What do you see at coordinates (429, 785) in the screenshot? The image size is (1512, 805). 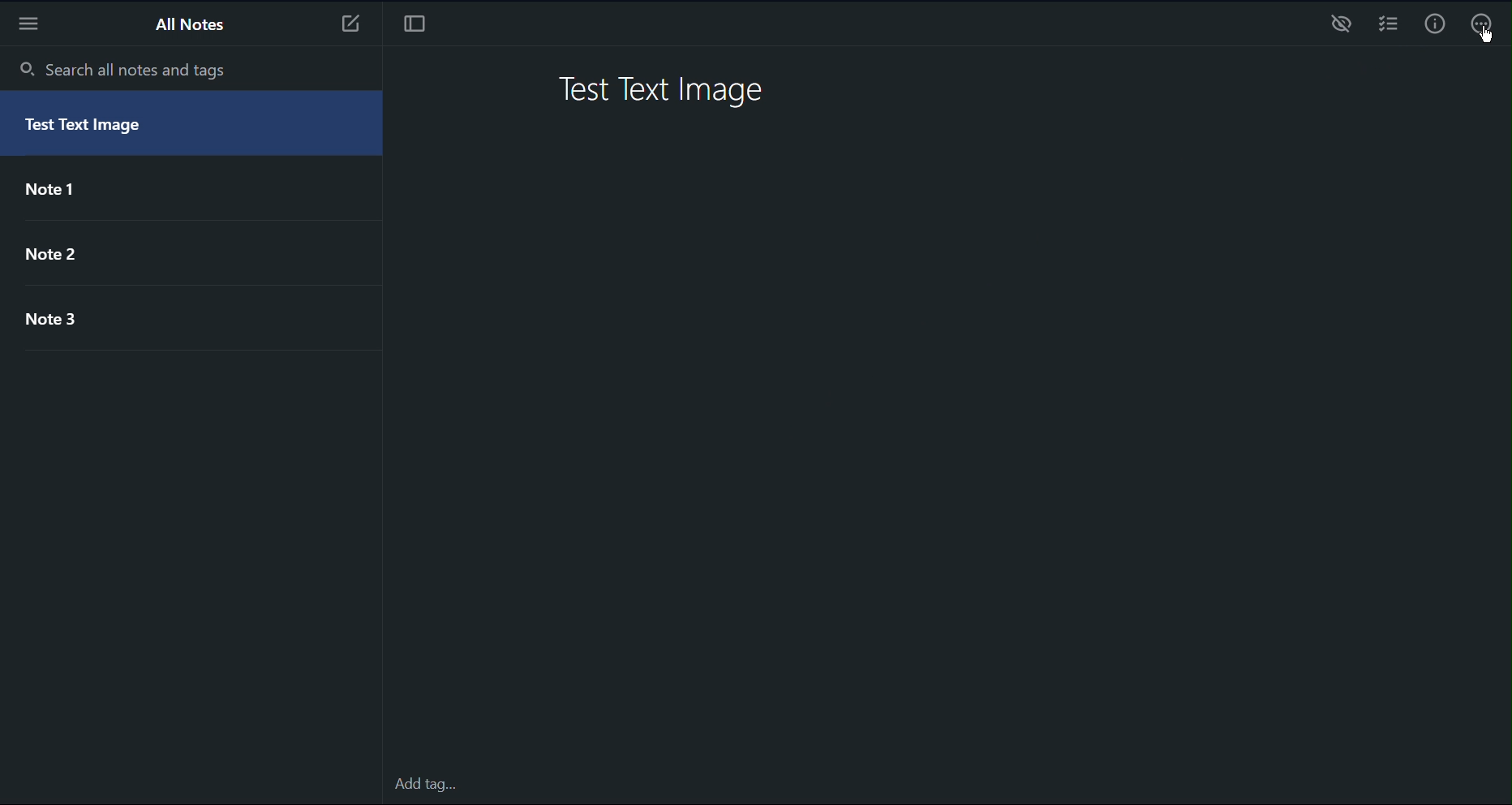 I see `Add tag` at bounding box center [429, 785].